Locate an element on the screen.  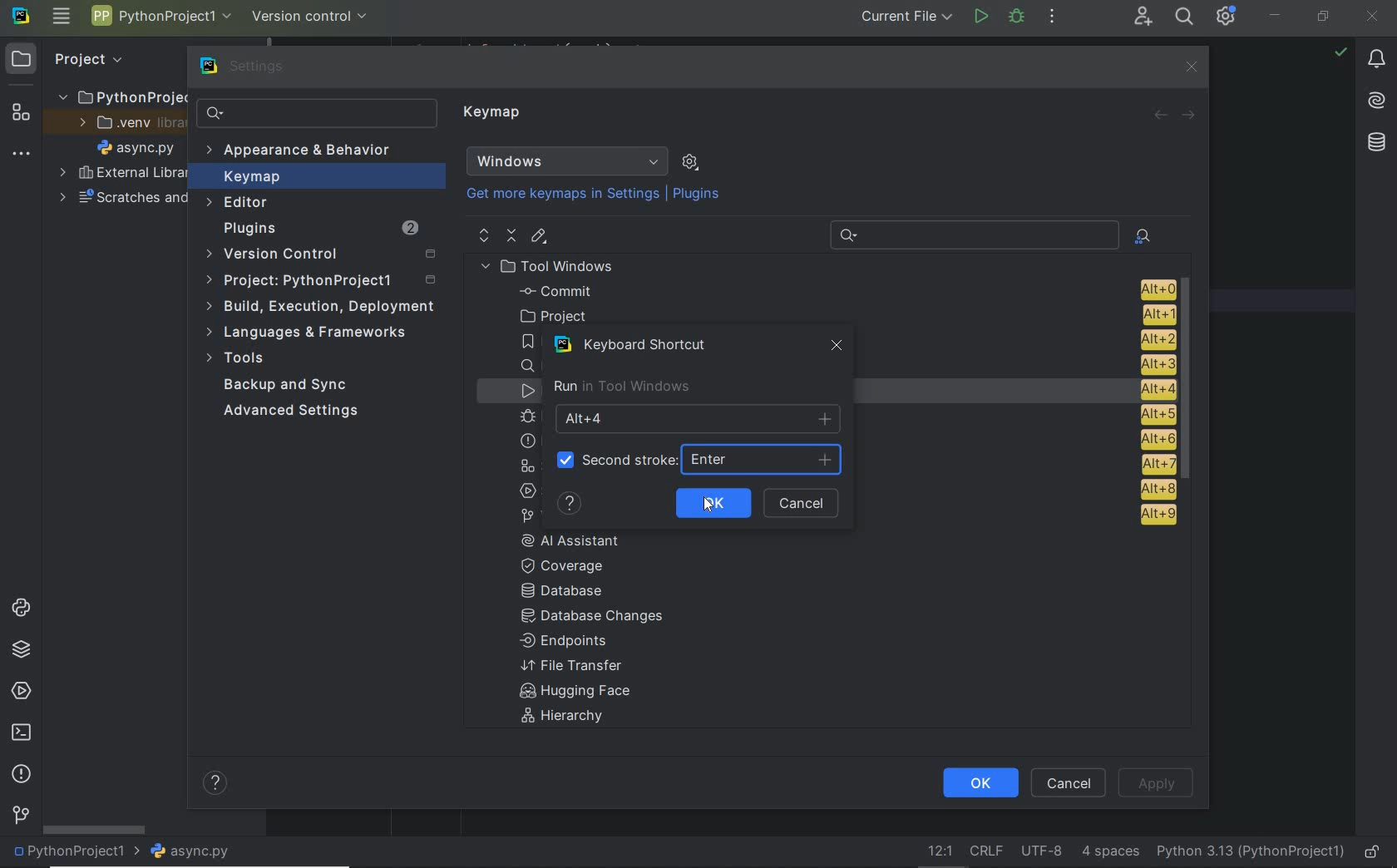
system name is located at coordinates (21, 17).